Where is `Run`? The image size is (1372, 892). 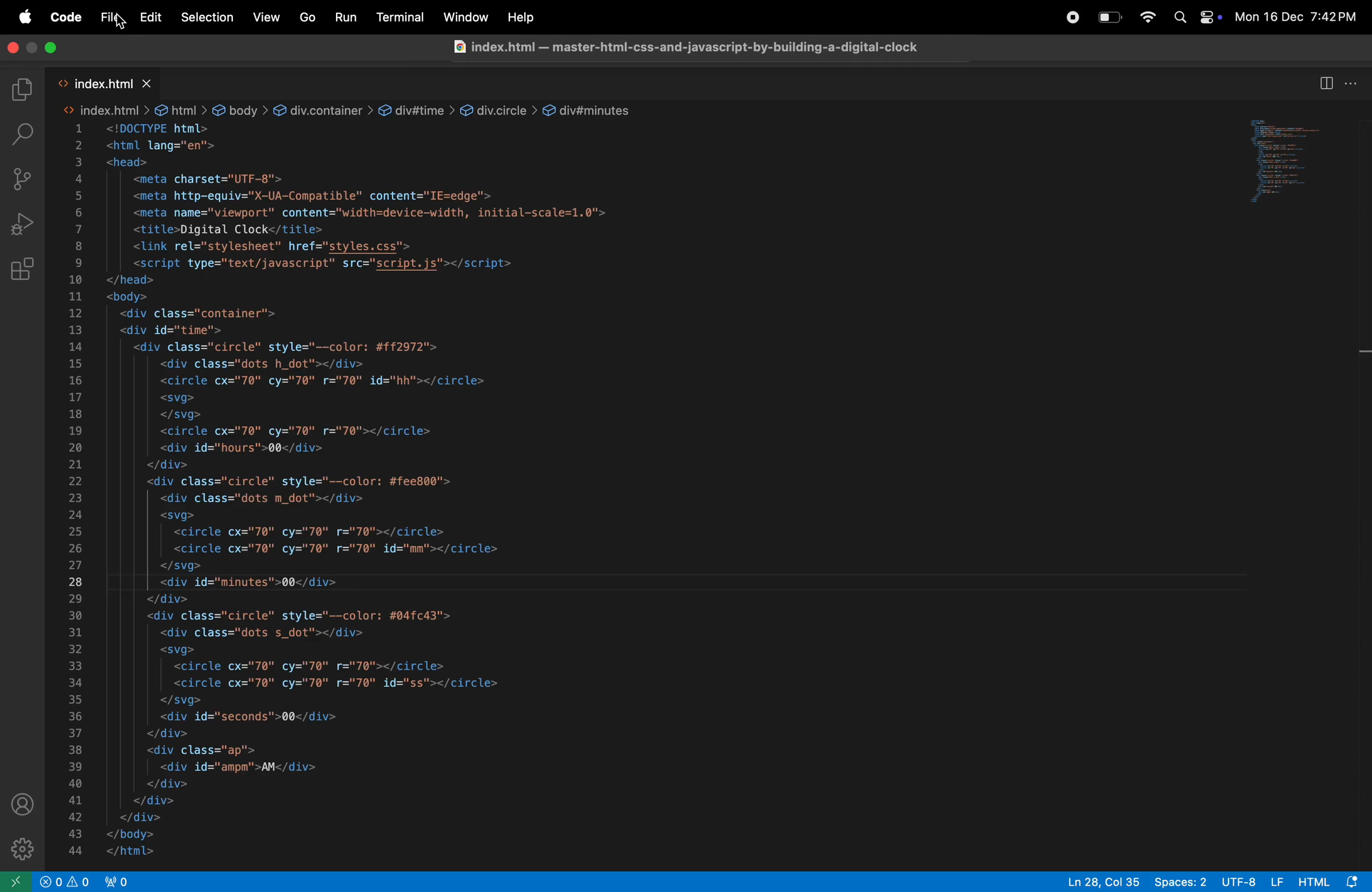
Run is located at coordinates (348, 16).